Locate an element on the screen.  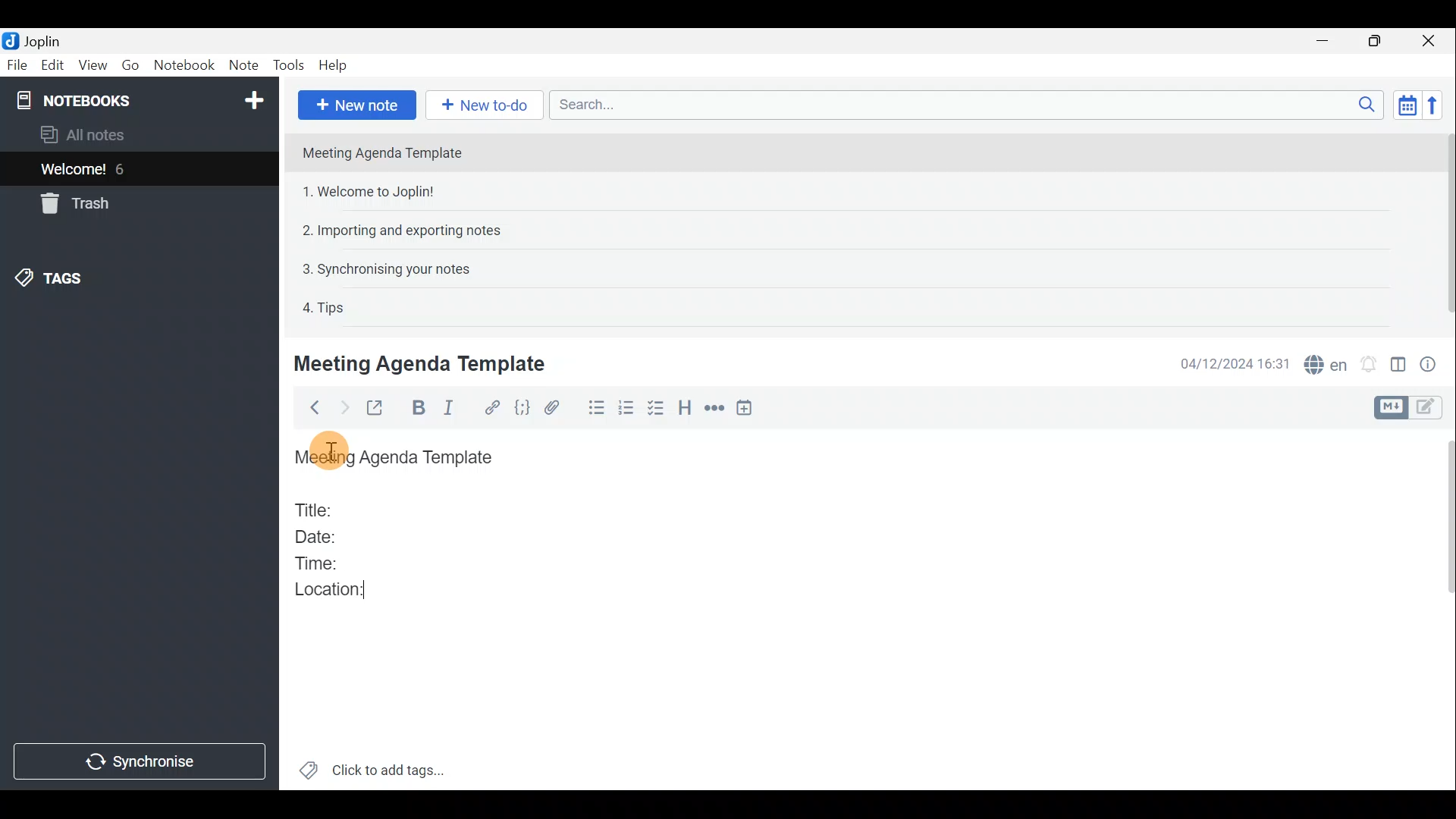
Italic is located at coordinates (454, 408).